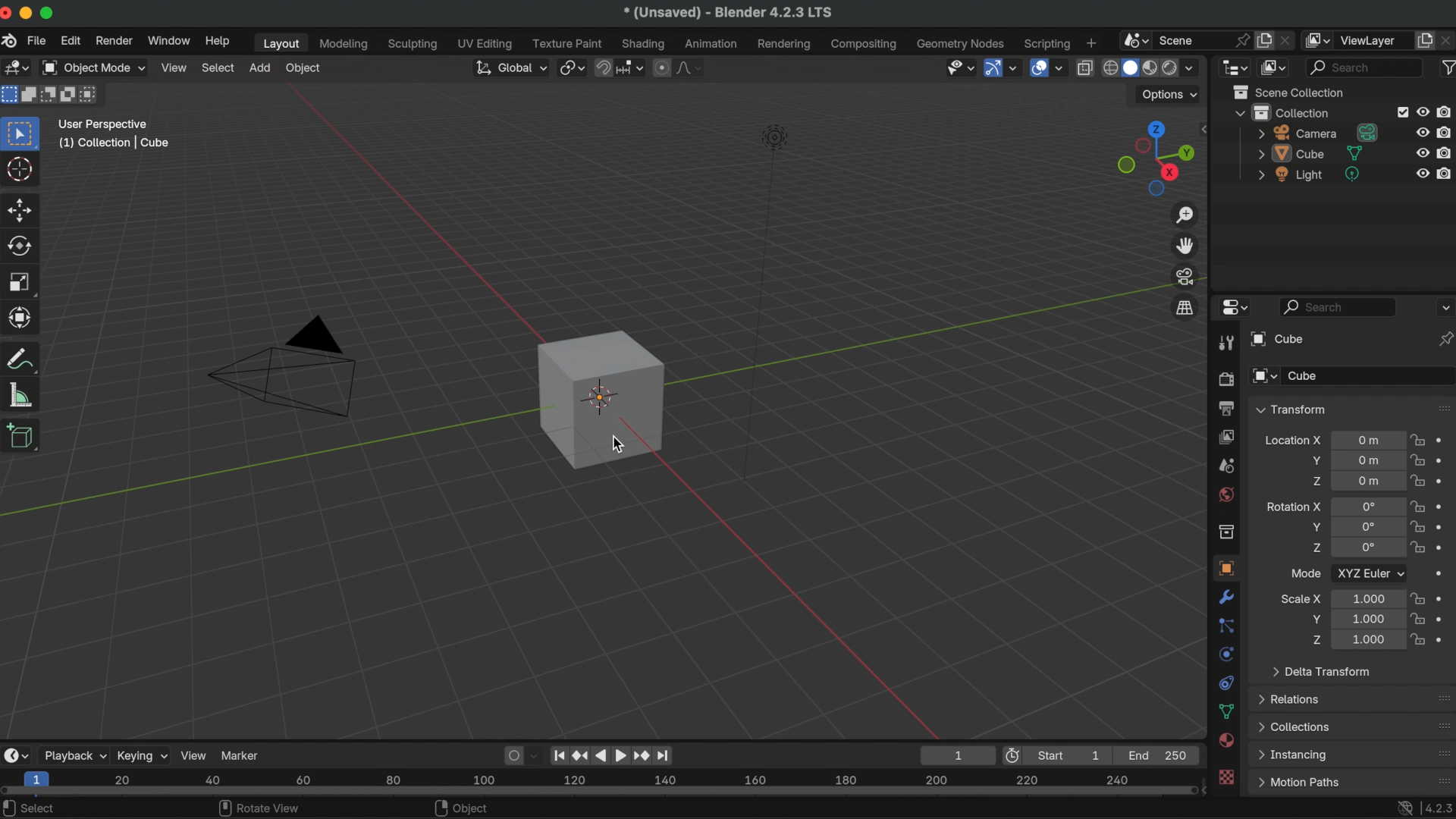 Image resolution: width=1456 pixels, height=819 pixels. Describe the element at coordinates (1423, 174) in the screenshot. I see `hide in viewport` at that location.